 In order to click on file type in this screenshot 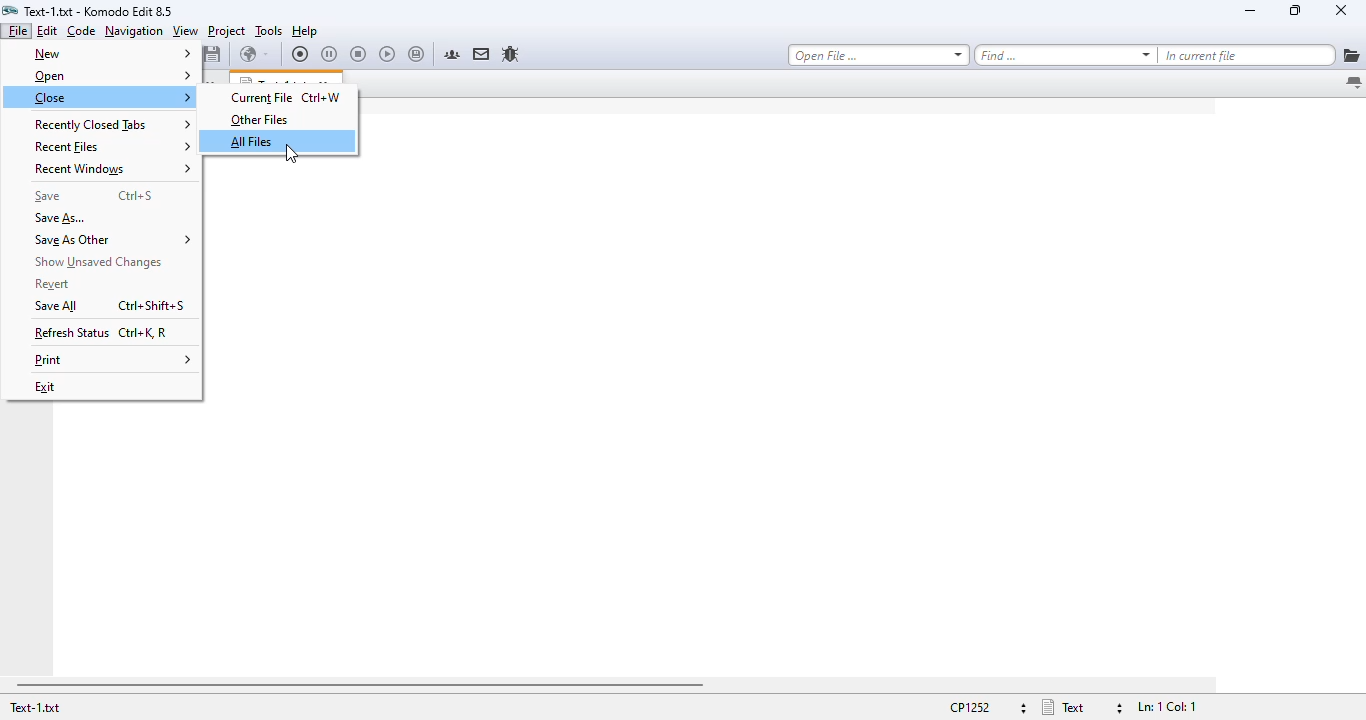, I will do `click(1081, 707)`.